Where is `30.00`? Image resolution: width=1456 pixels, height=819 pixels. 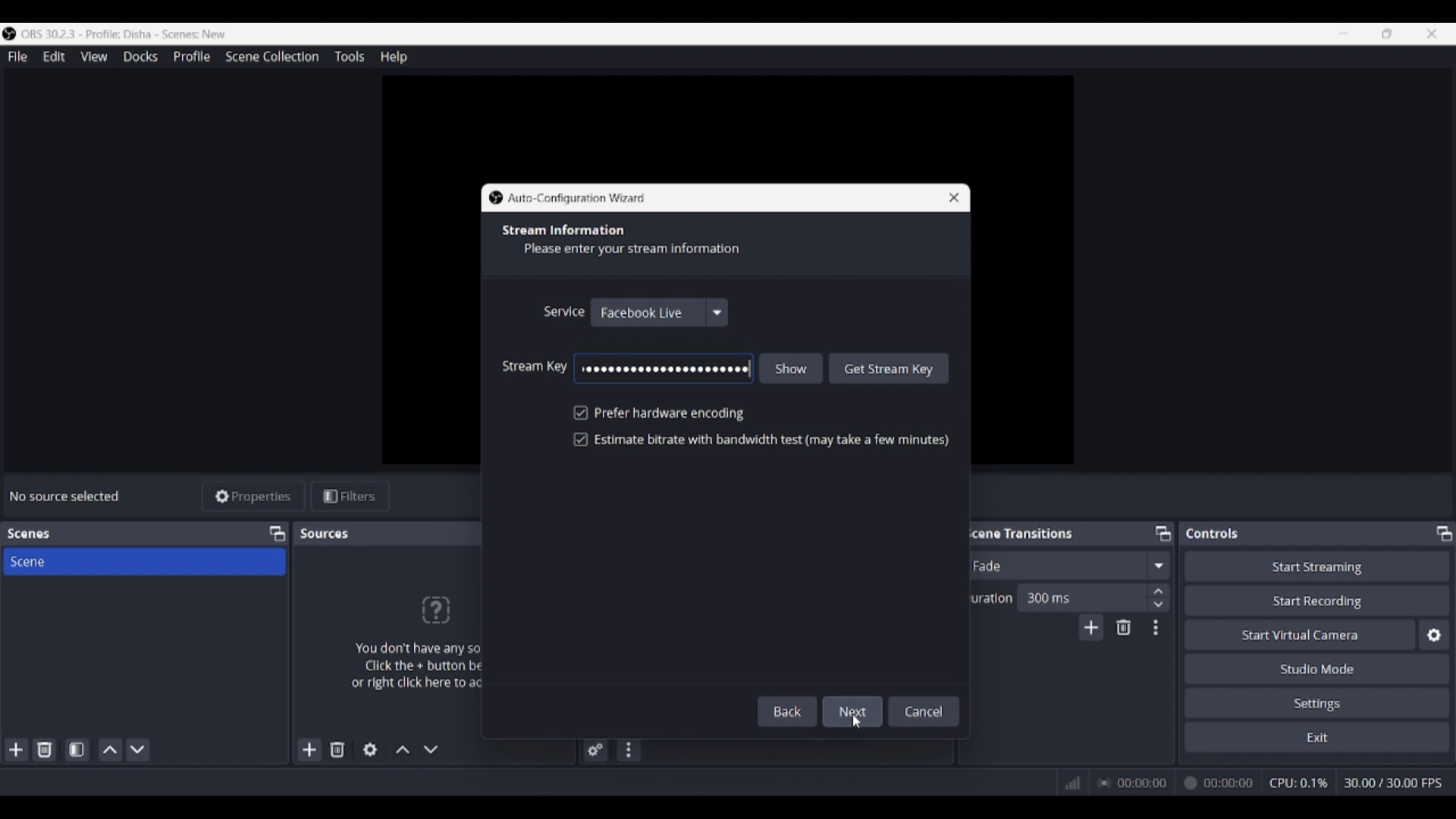
30.00 is located at coordinates (1394, 782).